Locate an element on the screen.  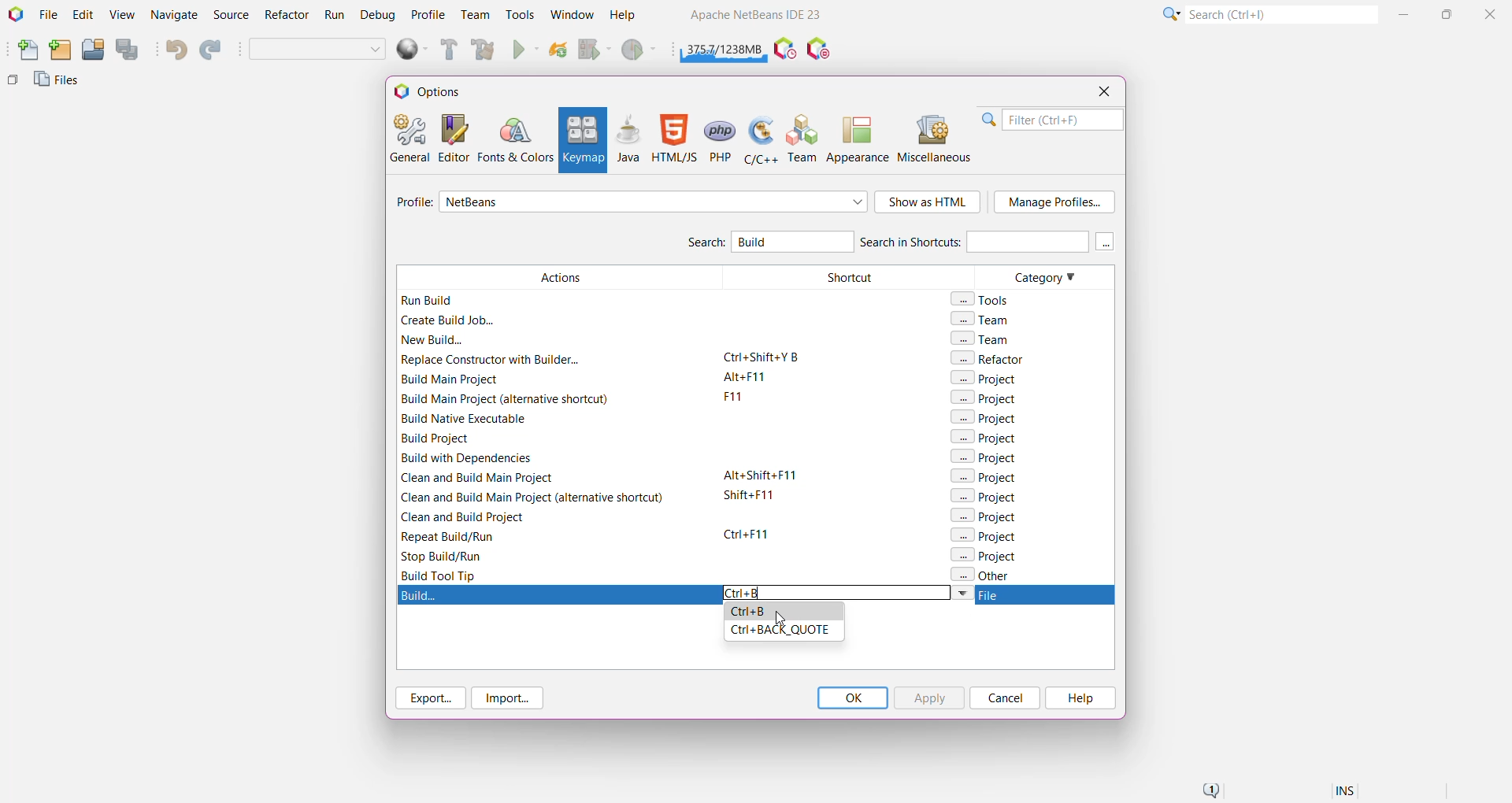
Redo is located at coordinates (213, 50).